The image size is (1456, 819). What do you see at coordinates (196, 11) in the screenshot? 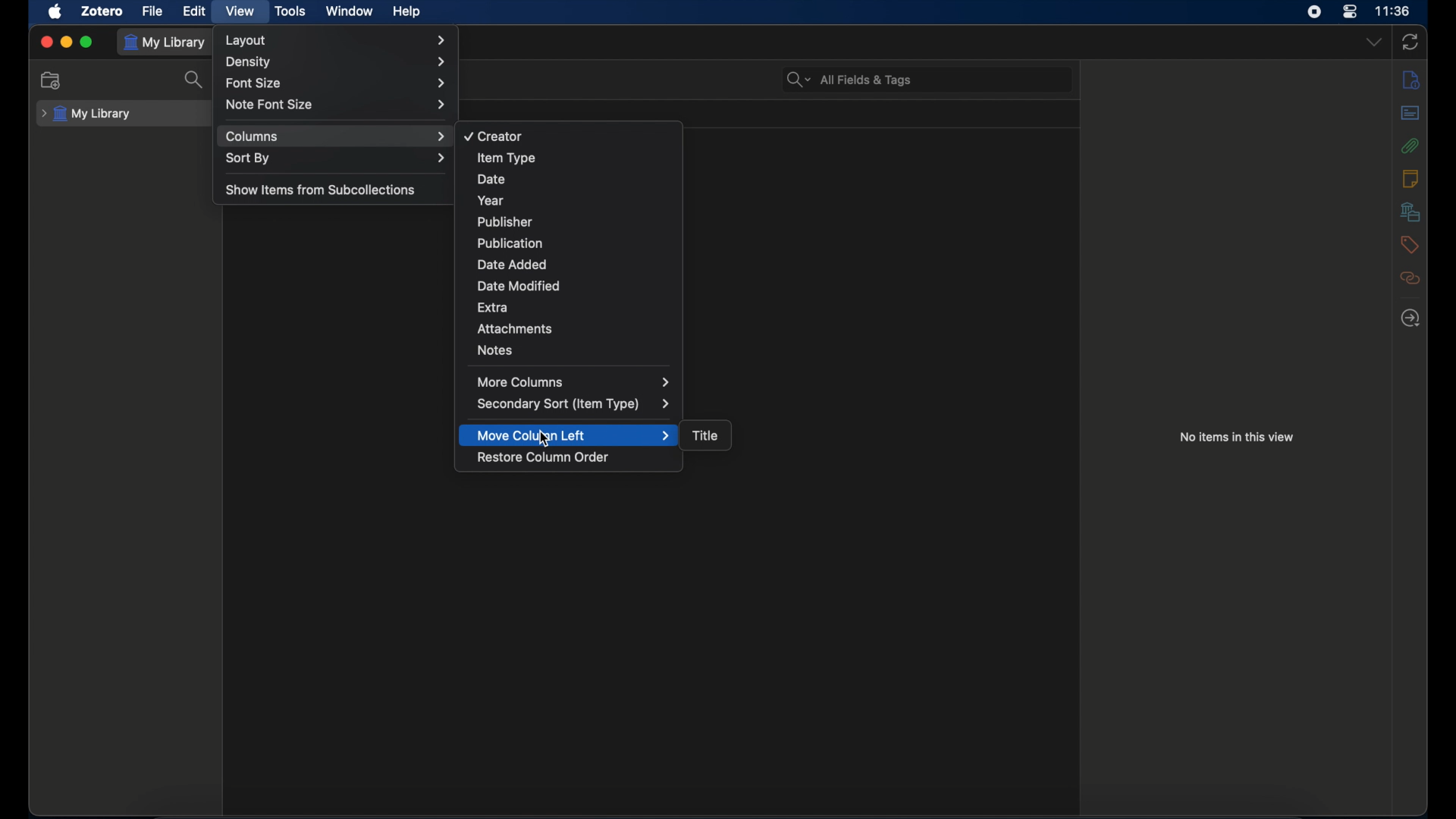
I see `edit` at bounding box center [196, 11].